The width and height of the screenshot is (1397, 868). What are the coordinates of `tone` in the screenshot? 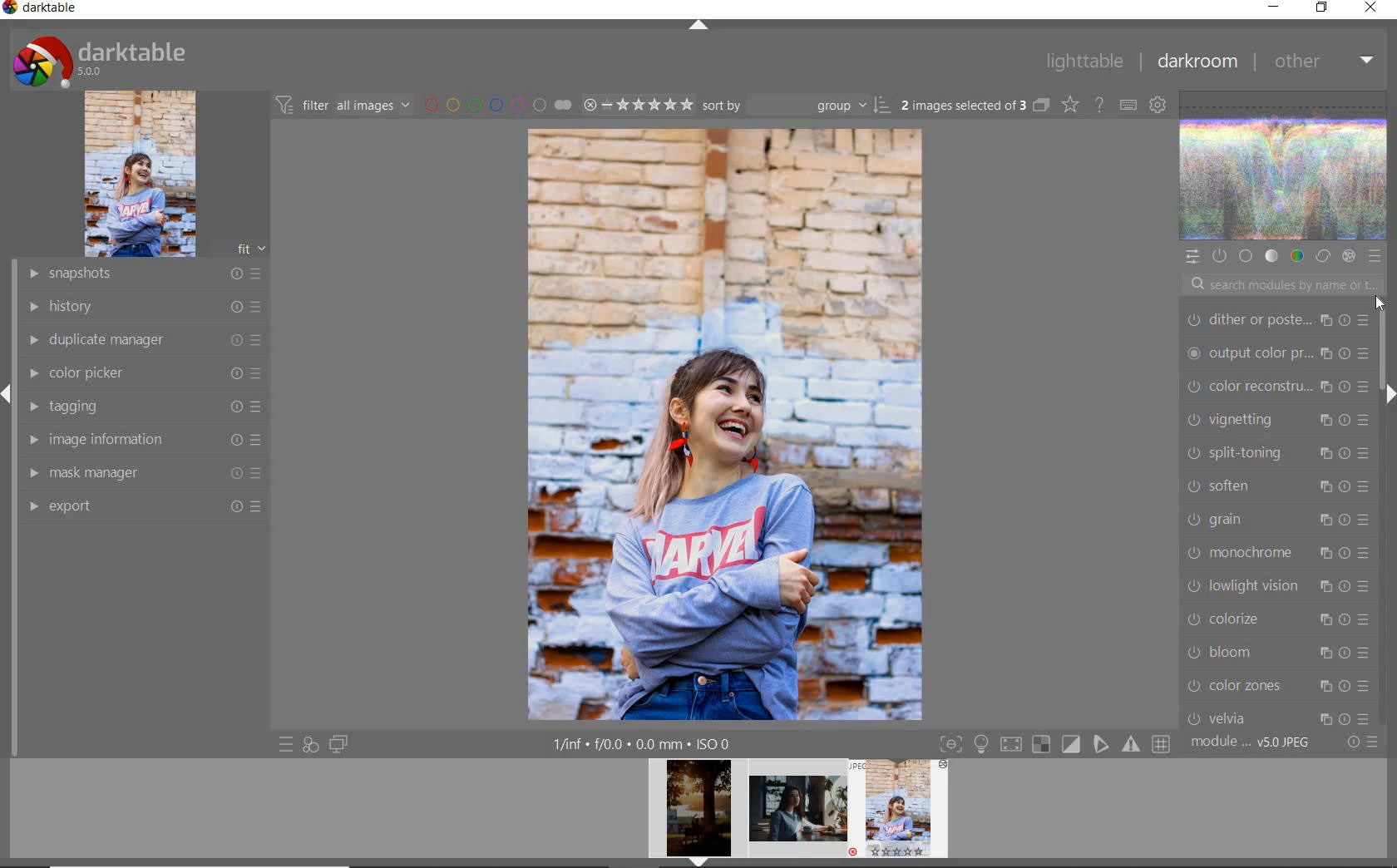 It's located at (1272, 257).